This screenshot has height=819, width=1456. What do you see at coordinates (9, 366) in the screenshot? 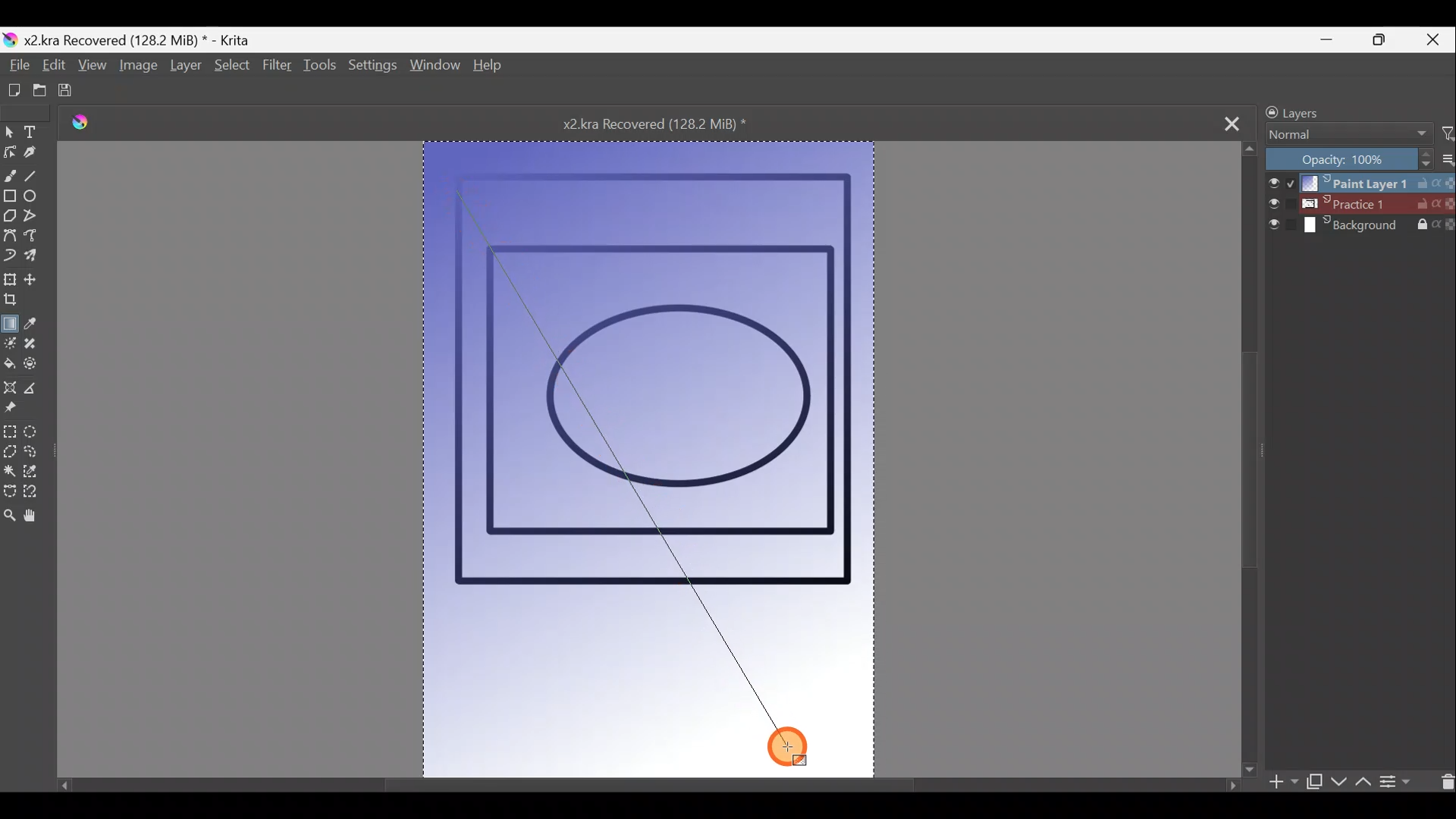
I see `Fill a contiguous area of colour with colour/fill a selection` at bounding box center [9, 366].